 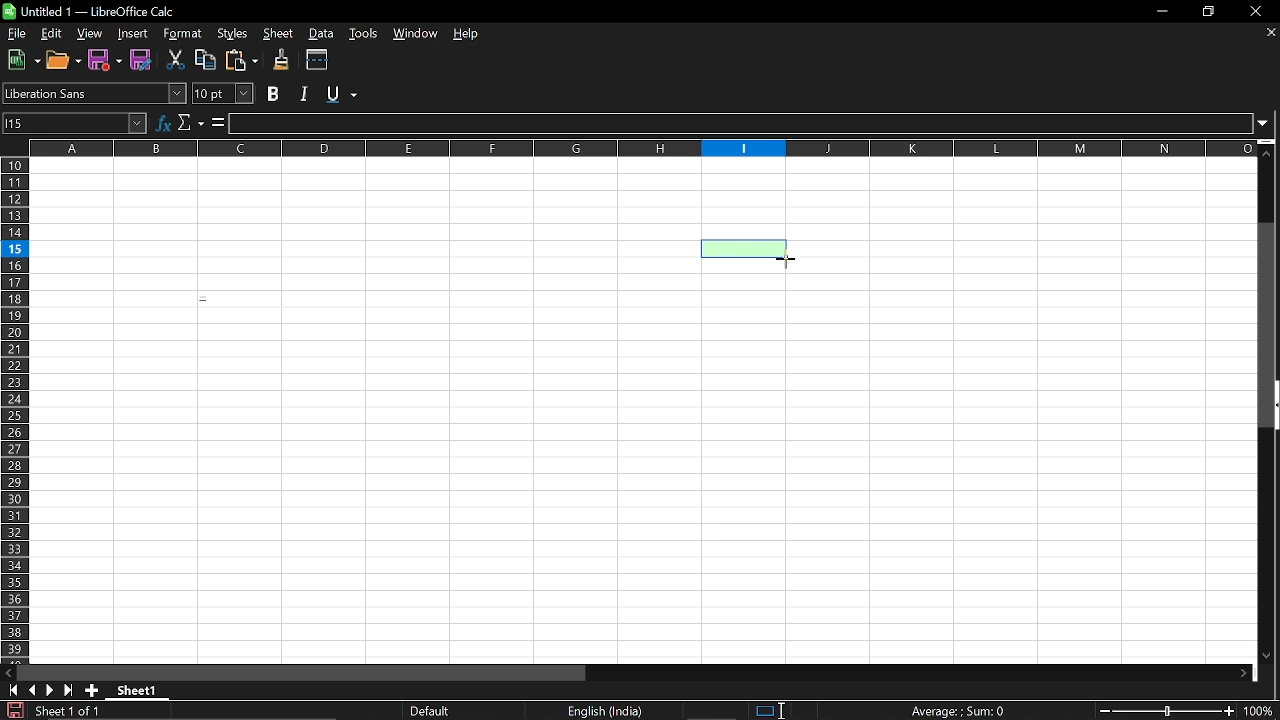 I want to click on Fillable cells, so click(x=1021, y=210).